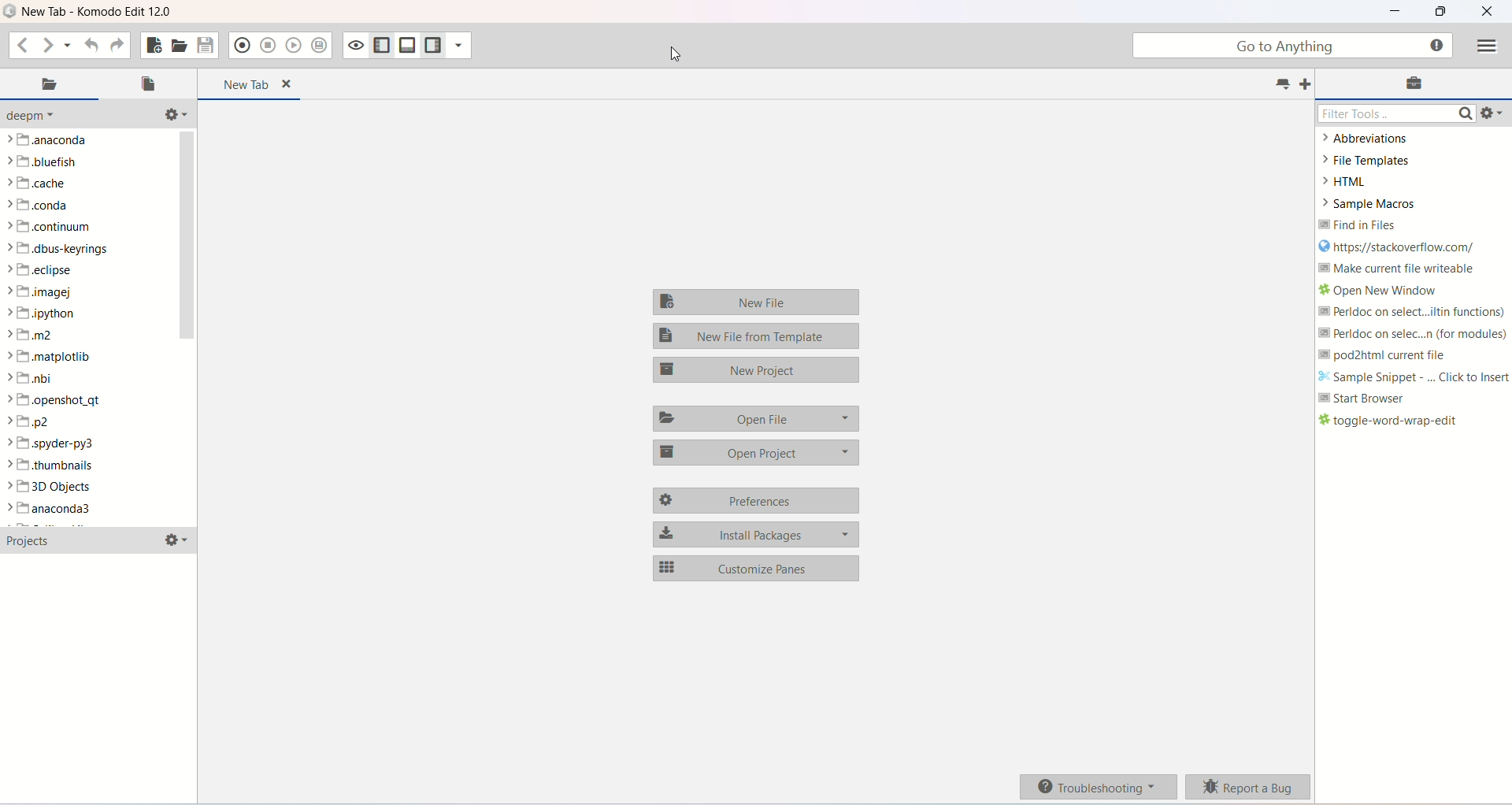 This screenshot has height=805, width=1512. I want to click on show/hide right pane, so click(435, 46).